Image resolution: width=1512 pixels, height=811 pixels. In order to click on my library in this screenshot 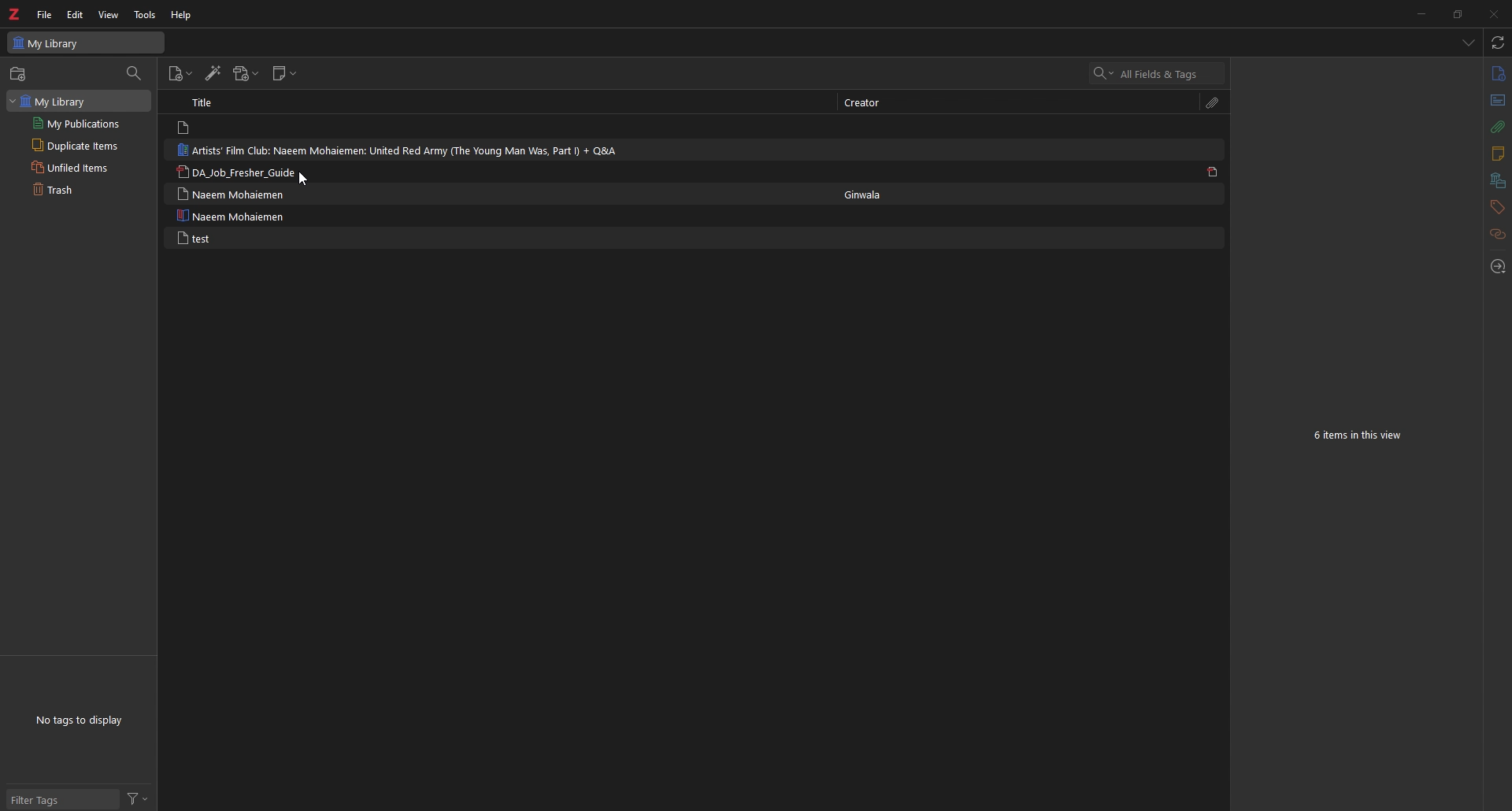, I will do `click(85, 43)`.